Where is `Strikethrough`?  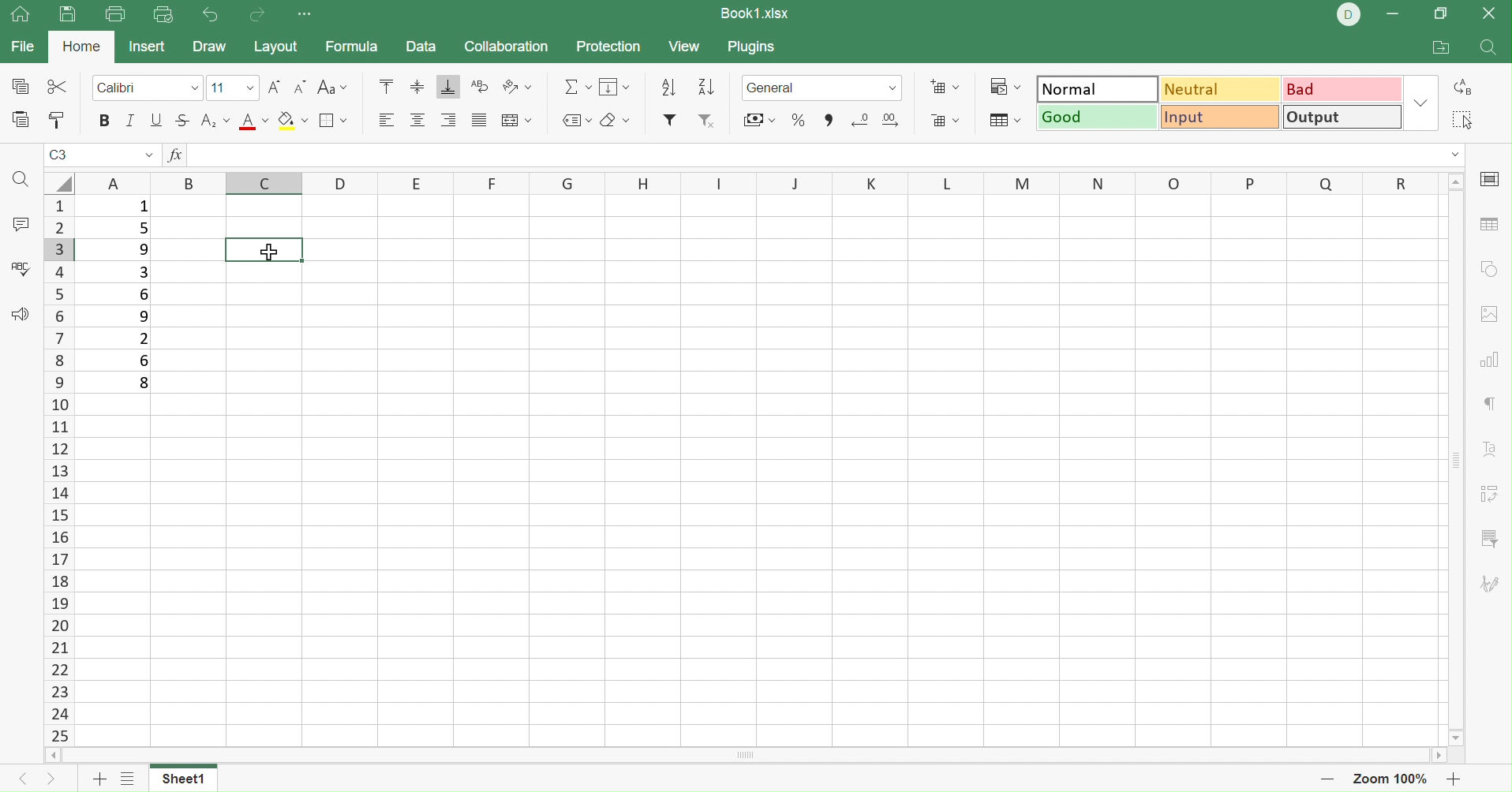
Strikethrough is located at coordinates (182, 120).